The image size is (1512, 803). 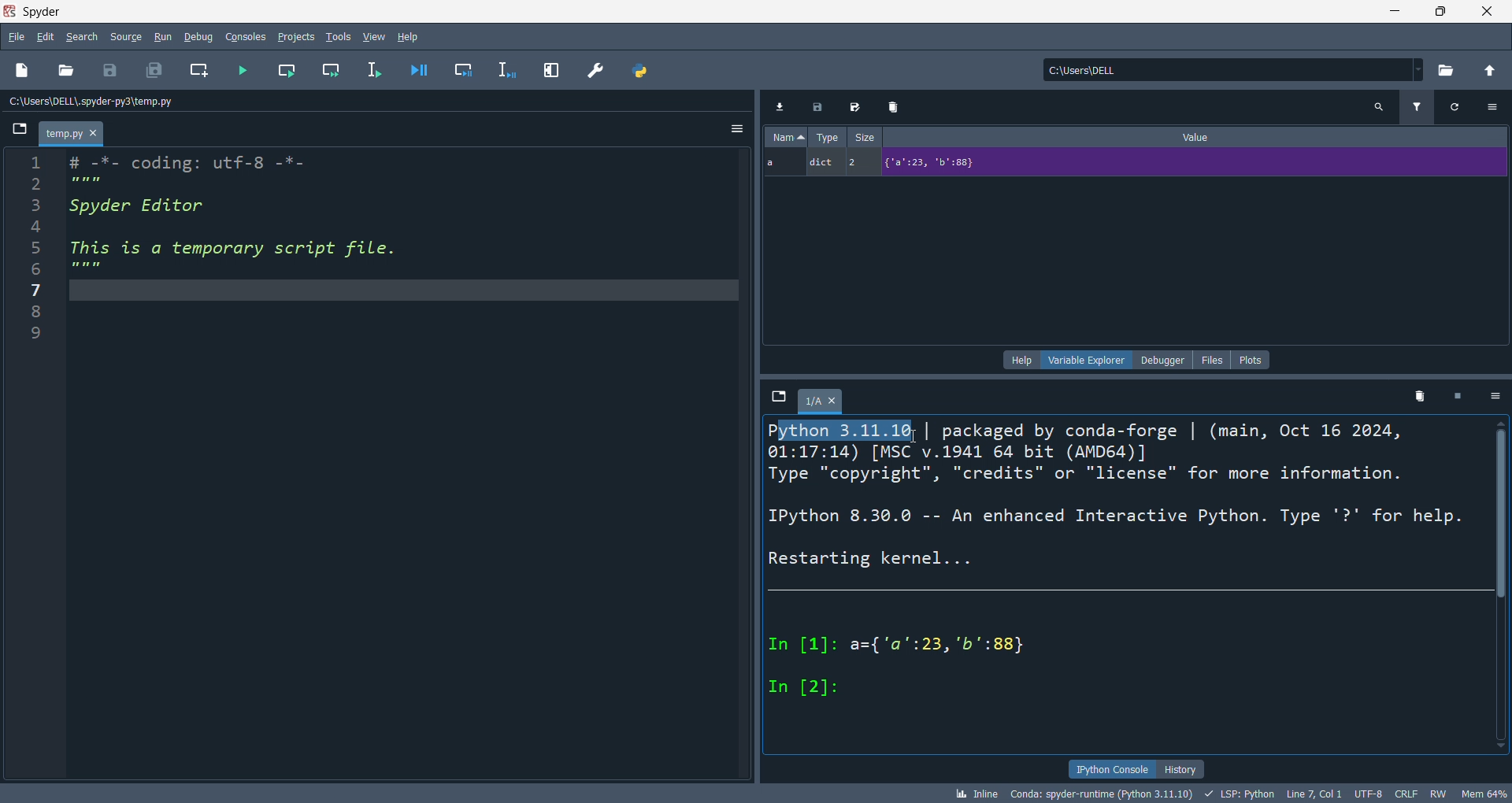 I want to click on close kernel, so click(x=1462, y=395).